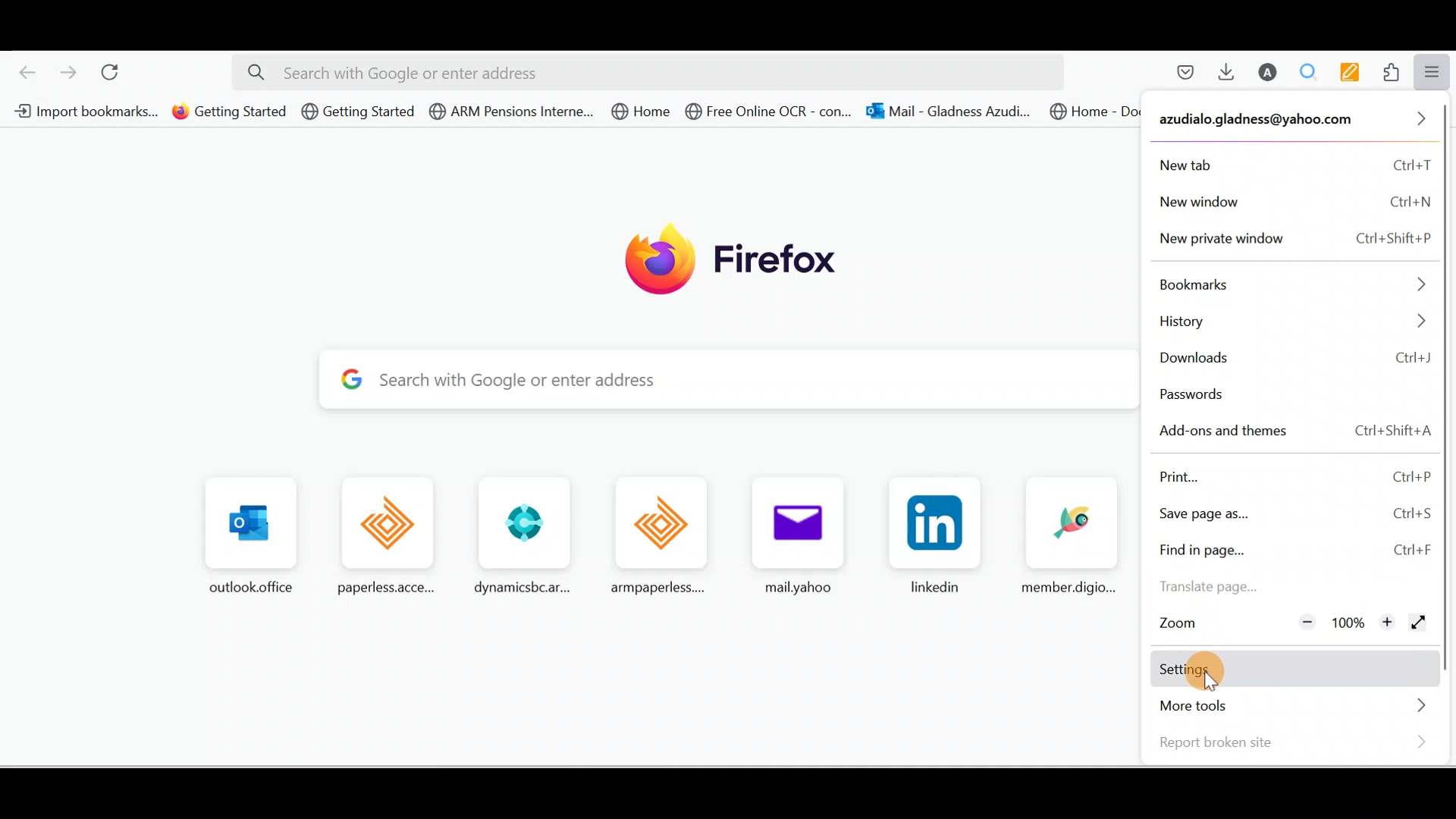 The width and height of the screenshot is (1456, 819). I want to click on Reload current page, so click(119, 75).